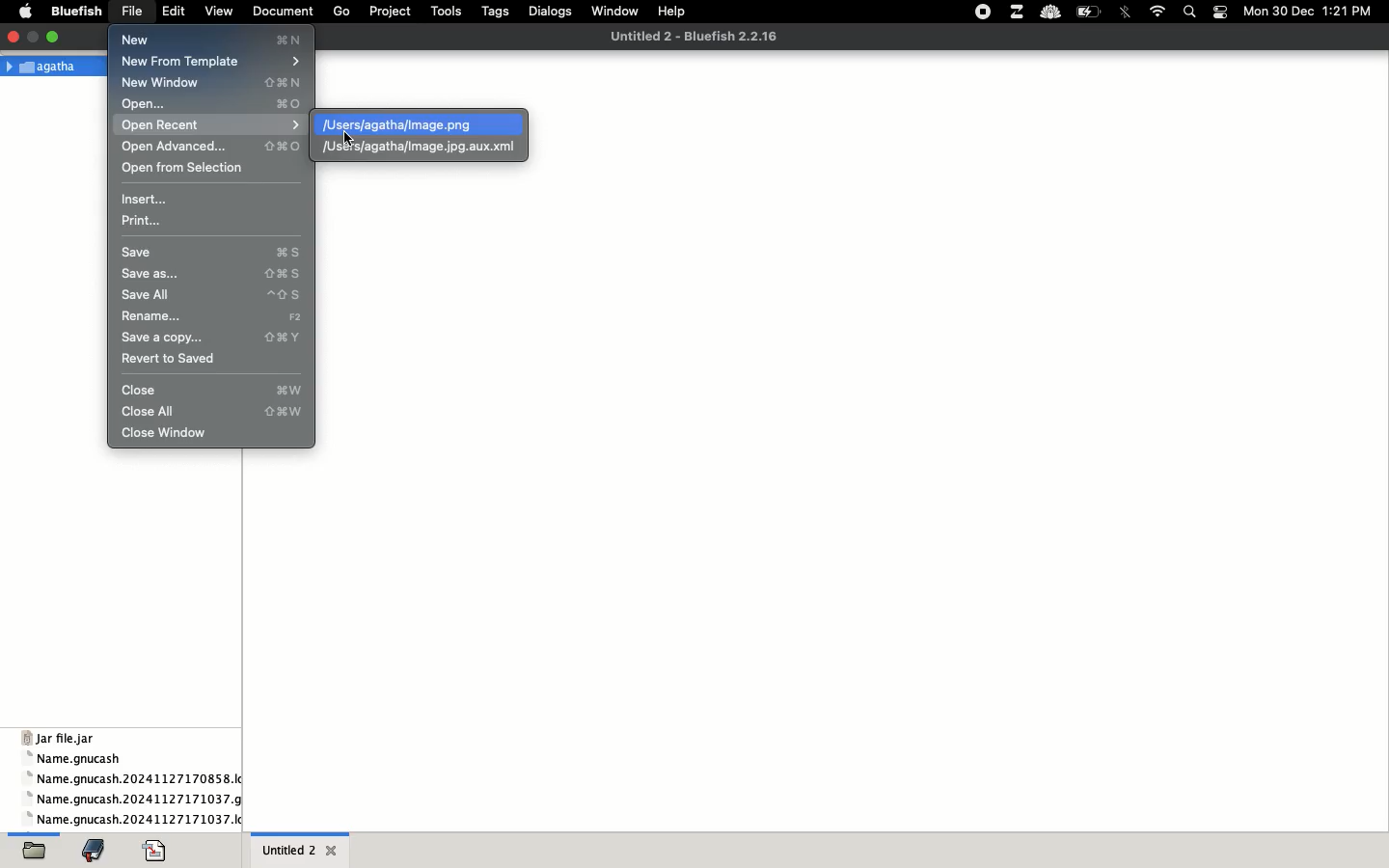 This screenshot has height=868, width=1389. What do you see at coordinates (211, 293) in the screenshot?
I see `save all` at bounding box center [211, 293].